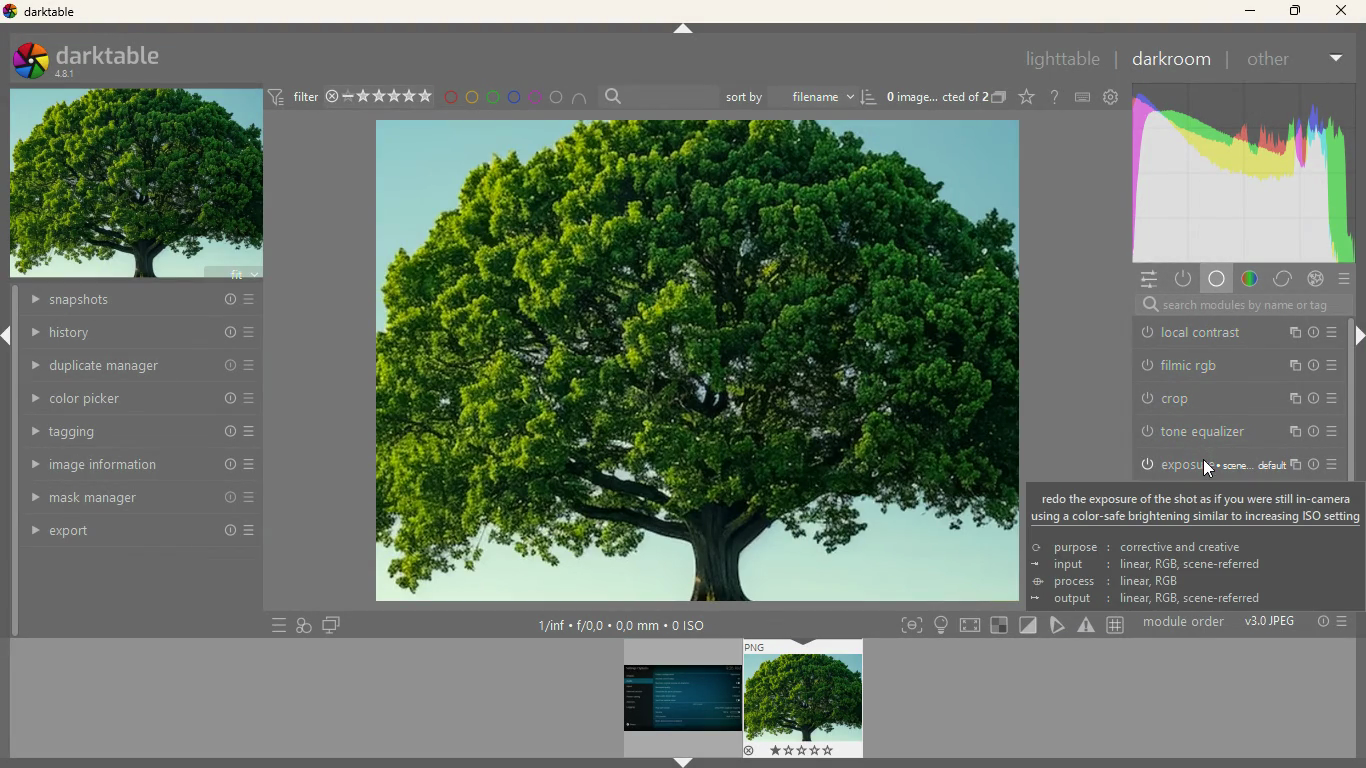  What do you see at coordinates (1026, 624) in the screenshot?
I see `diagonal` at bounding box center [1026, 624].